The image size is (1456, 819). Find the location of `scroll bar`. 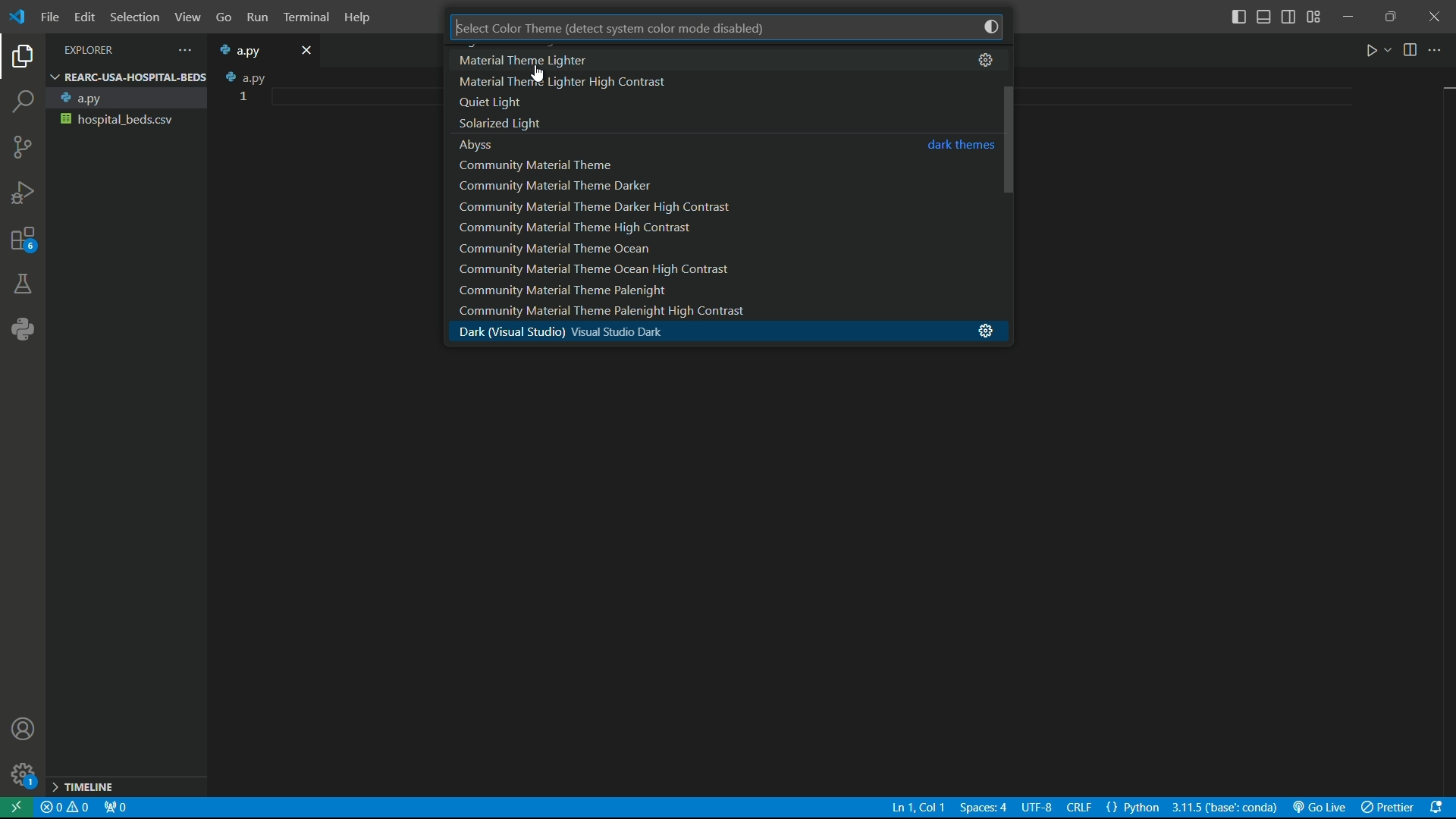

scroll bar is located at coordinates (1009, 178).